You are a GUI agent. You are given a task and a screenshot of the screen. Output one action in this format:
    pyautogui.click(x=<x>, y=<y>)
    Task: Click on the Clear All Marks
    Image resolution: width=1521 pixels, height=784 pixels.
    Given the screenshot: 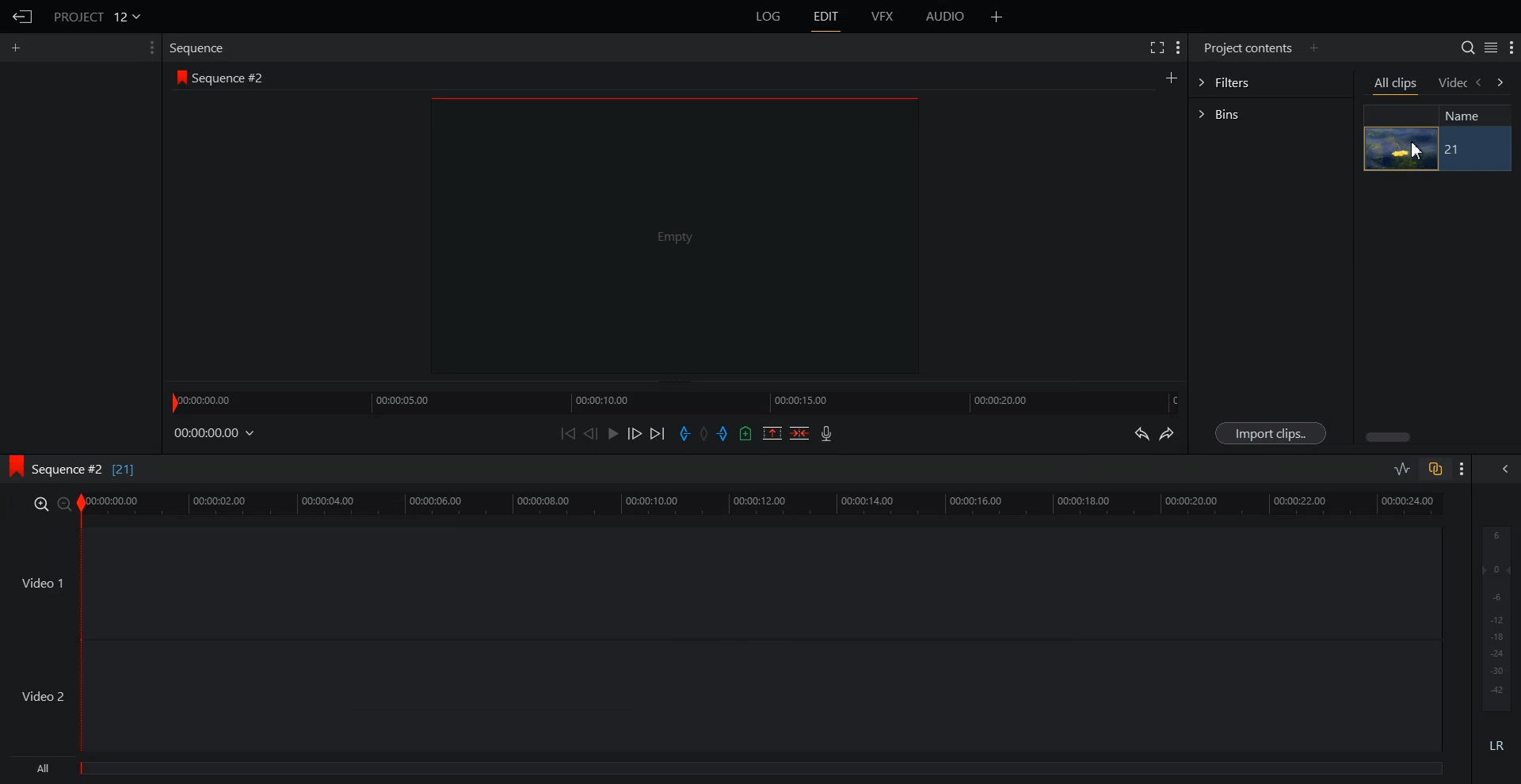 What is the action you would take?
    pyautogui.click(x=703, y=433)
    